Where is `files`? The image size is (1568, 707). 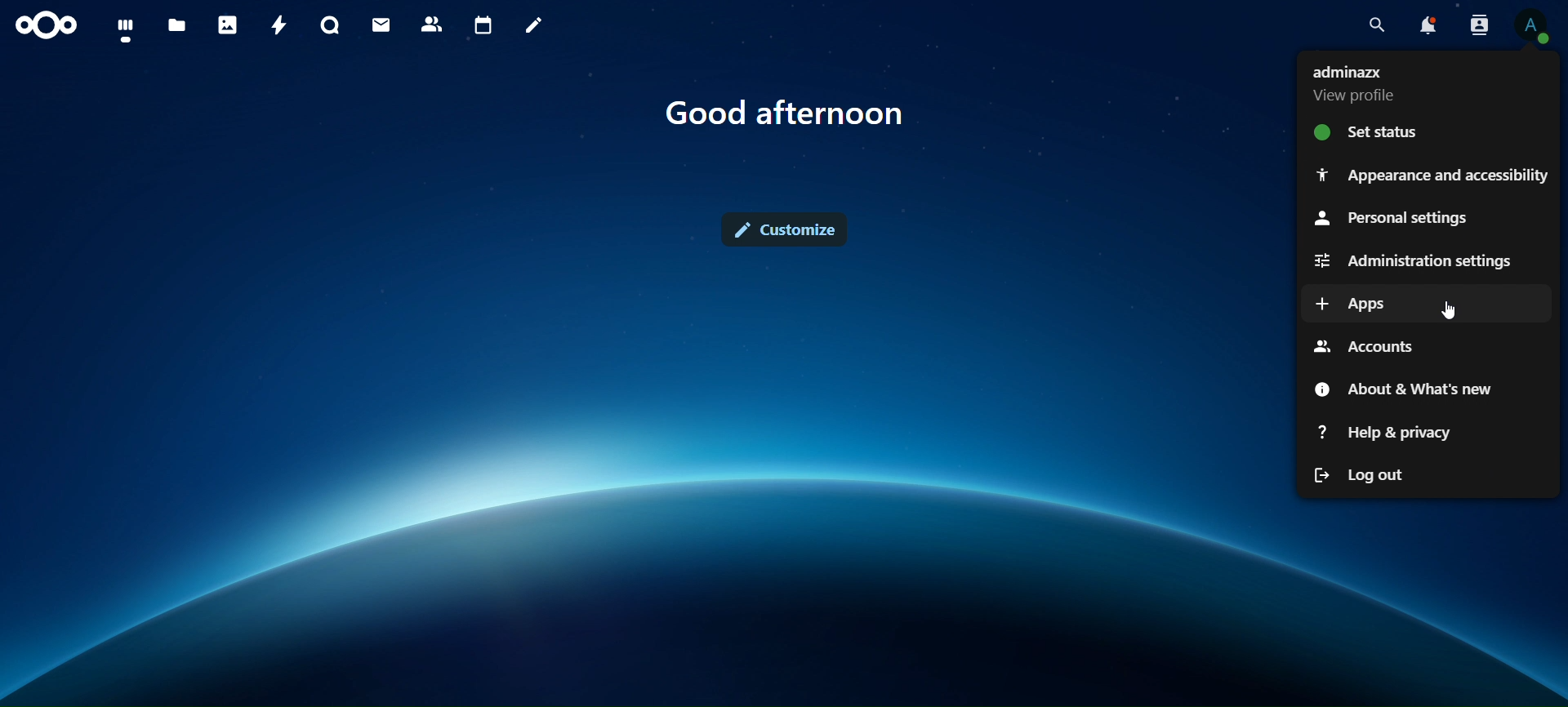 files is located at coordinates (176, 26).